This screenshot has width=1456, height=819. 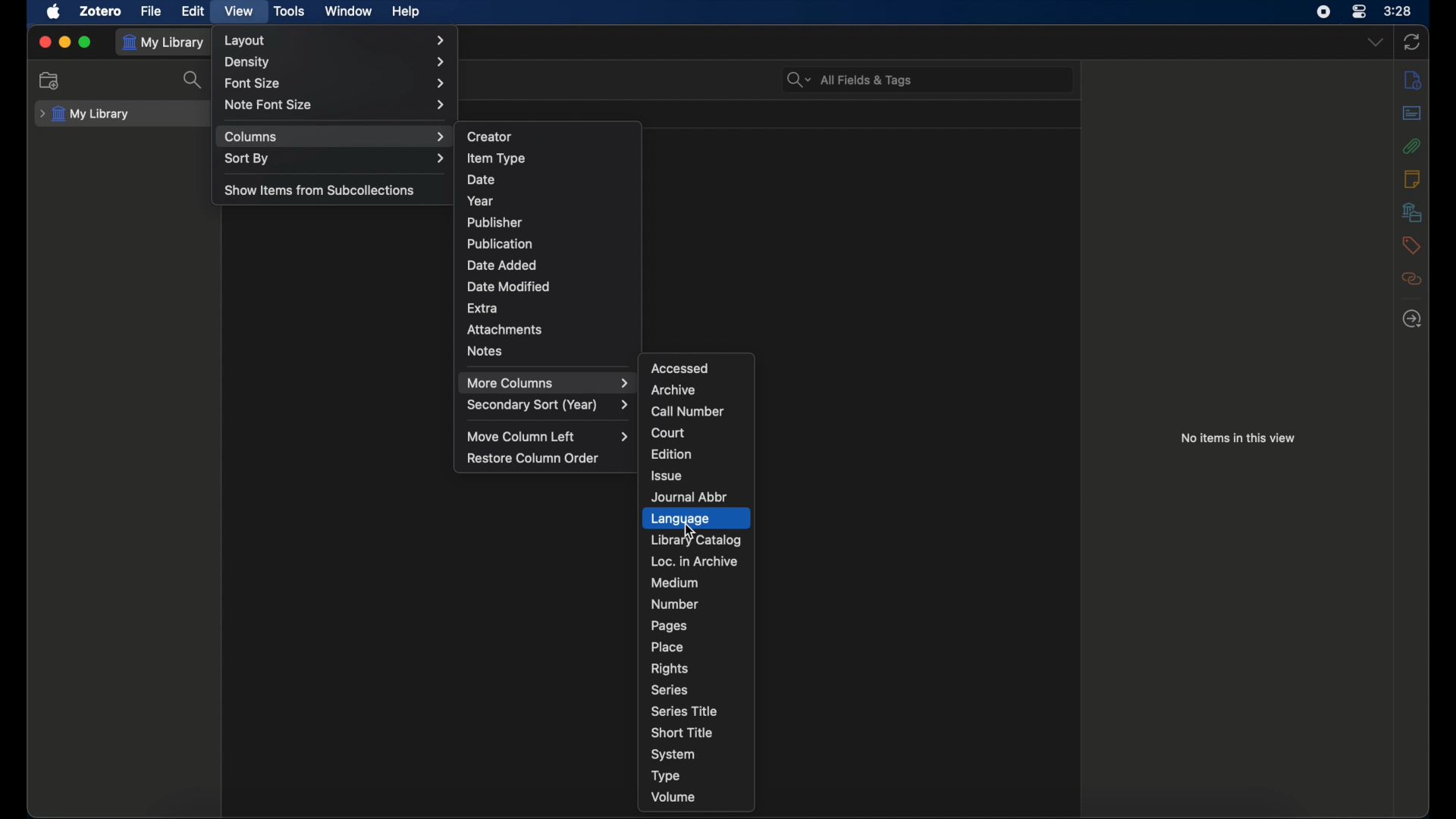 I want to click on screen recorder , so click(x=1323, y=11).